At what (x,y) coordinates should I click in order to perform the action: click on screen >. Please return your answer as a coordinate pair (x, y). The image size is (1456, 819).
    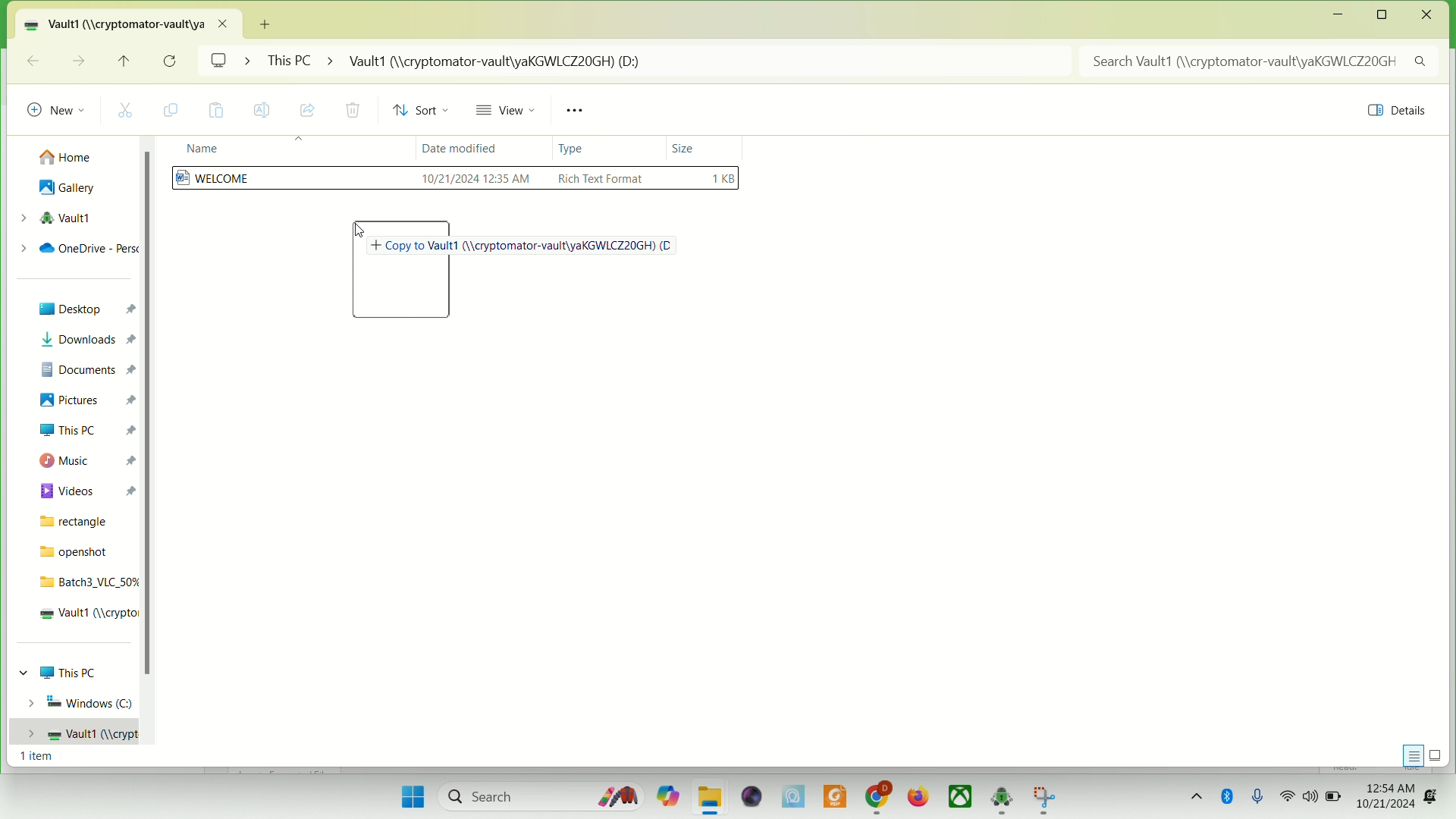
    Looking at the image, I should click on (231, 63).